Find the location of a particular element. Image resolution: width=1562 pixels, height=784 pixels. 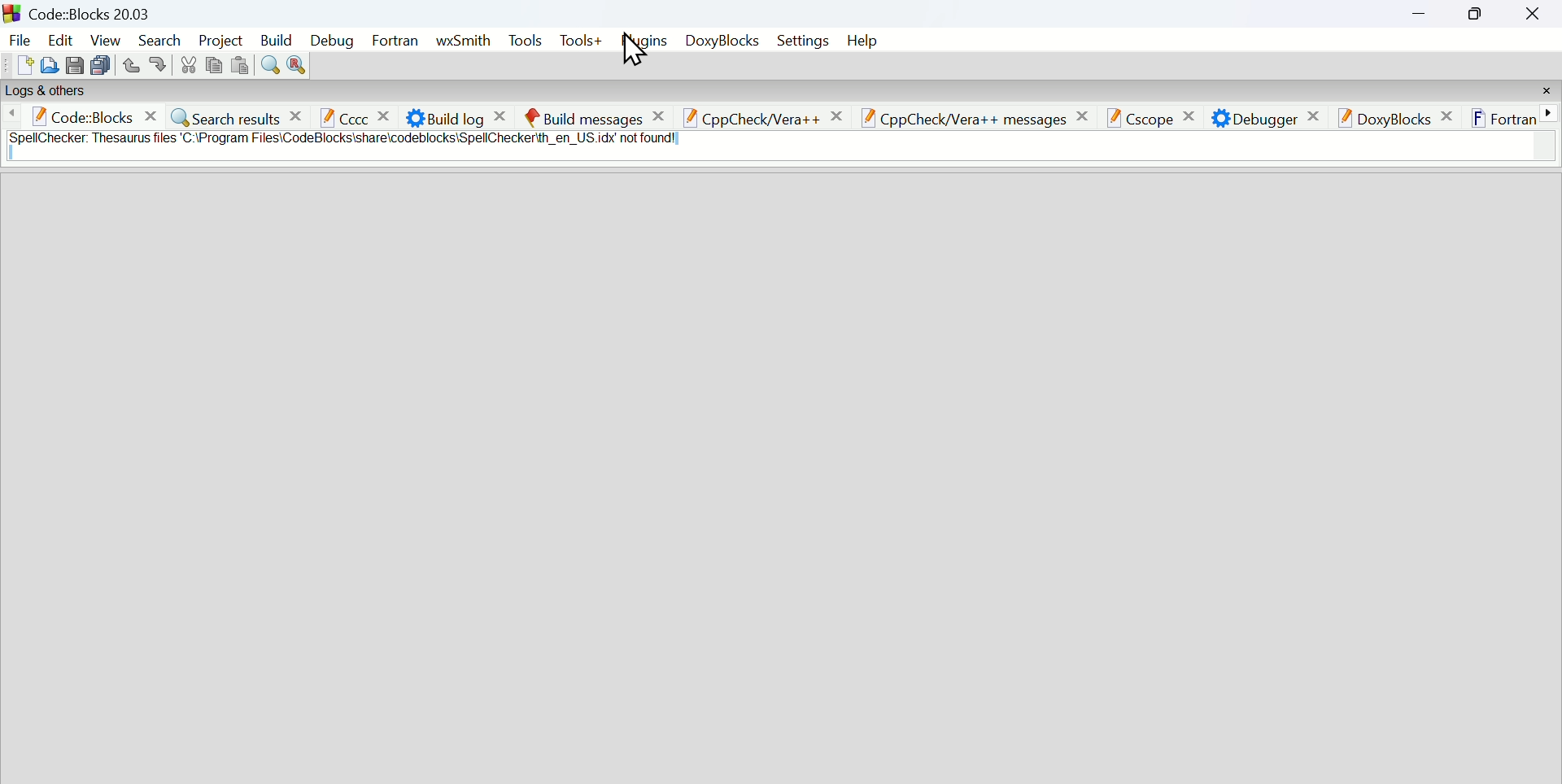

Logs & others is located at coordinates (45, 91).